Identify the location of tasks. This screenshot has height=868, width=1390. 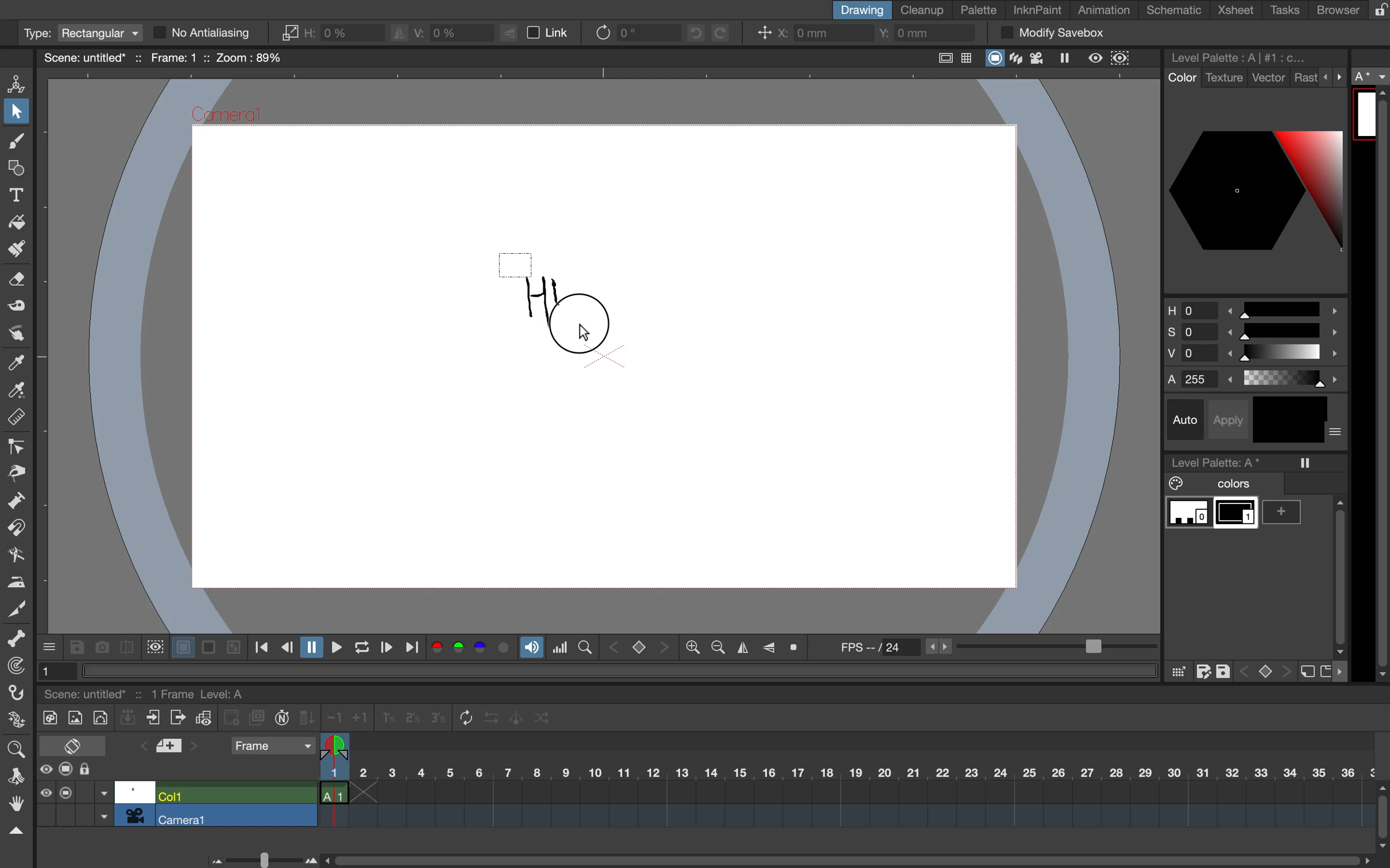
(1283, 10).